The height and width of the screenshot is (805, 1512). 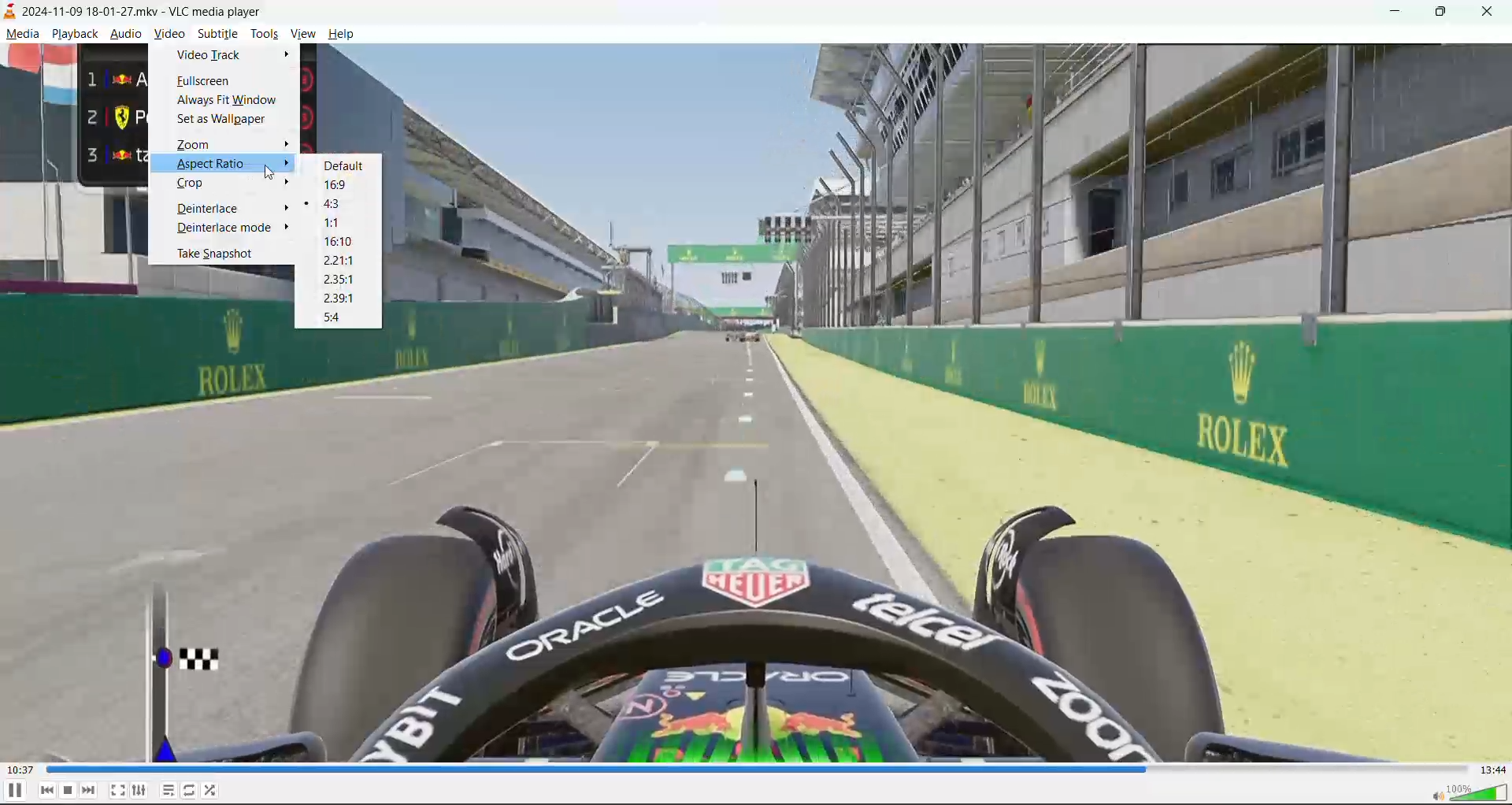 What do you see at coordinates (225, 230) in the screenshot?
I see `deinterlace mode` at bounding box center [225, 230].